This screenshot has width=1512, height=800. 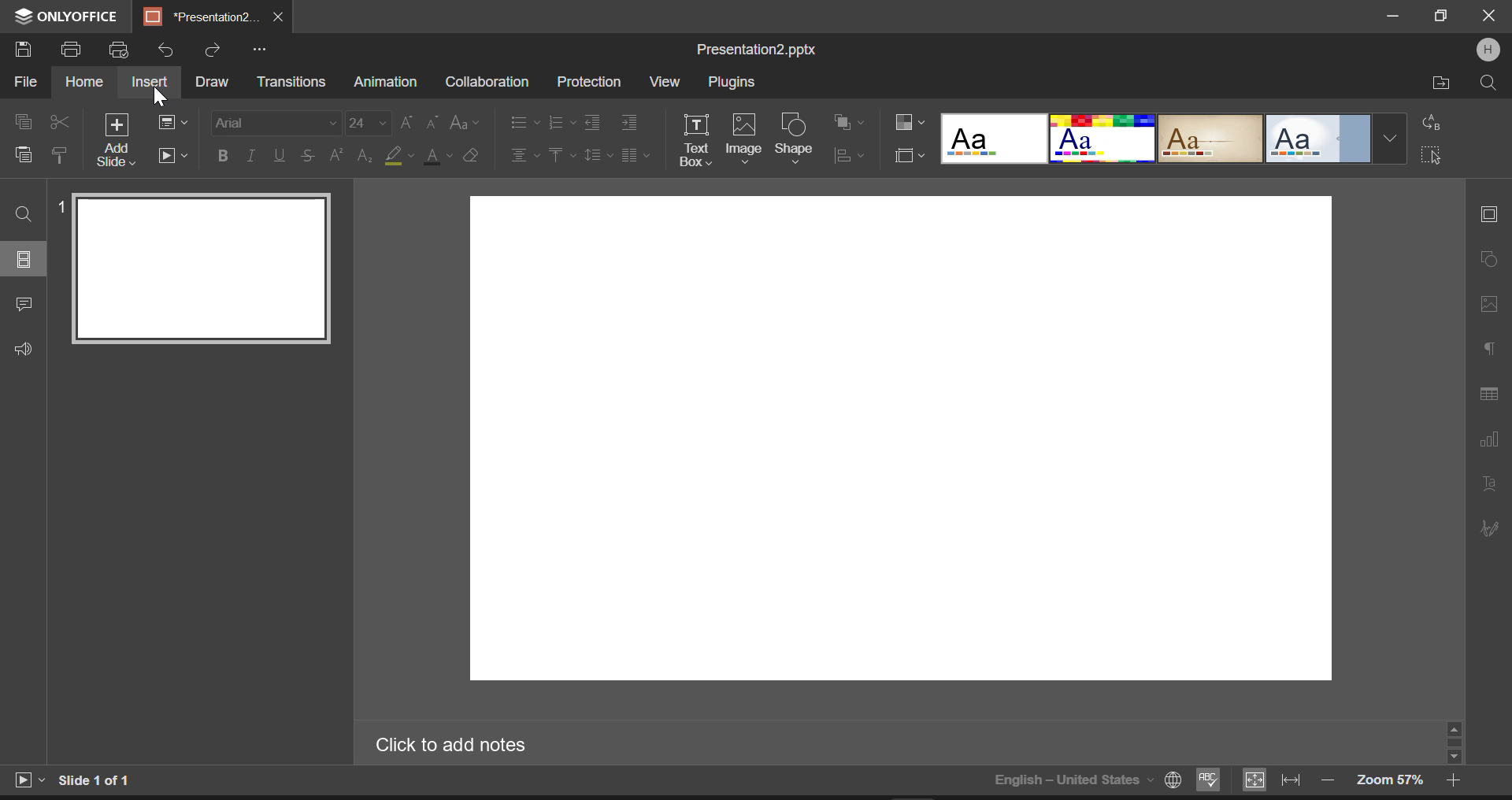 I want to click on Replace, so click(x=1435, y=124).